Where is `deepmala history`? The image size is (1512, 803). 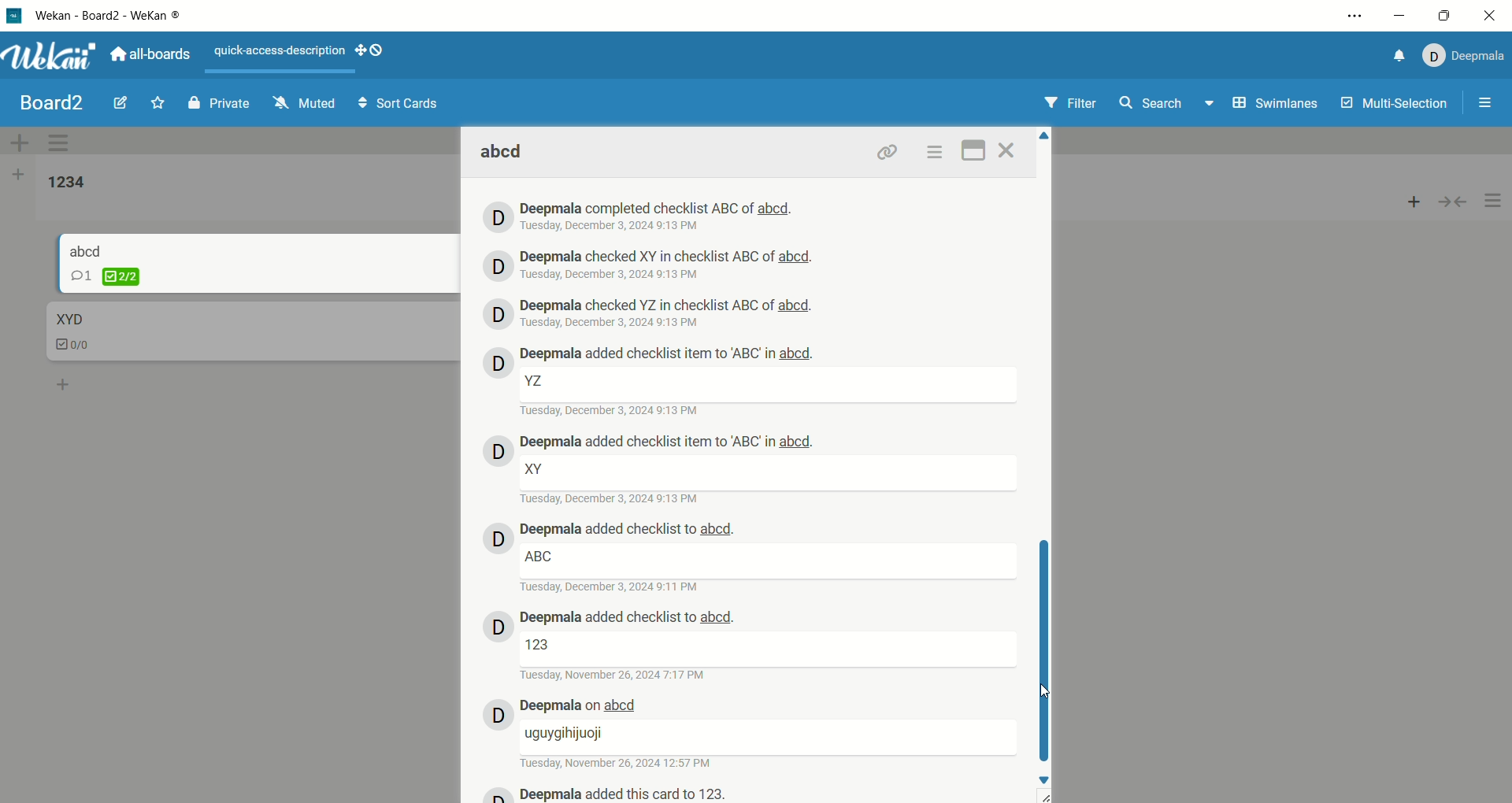
deepmala history is located at coordinates (656, 208).